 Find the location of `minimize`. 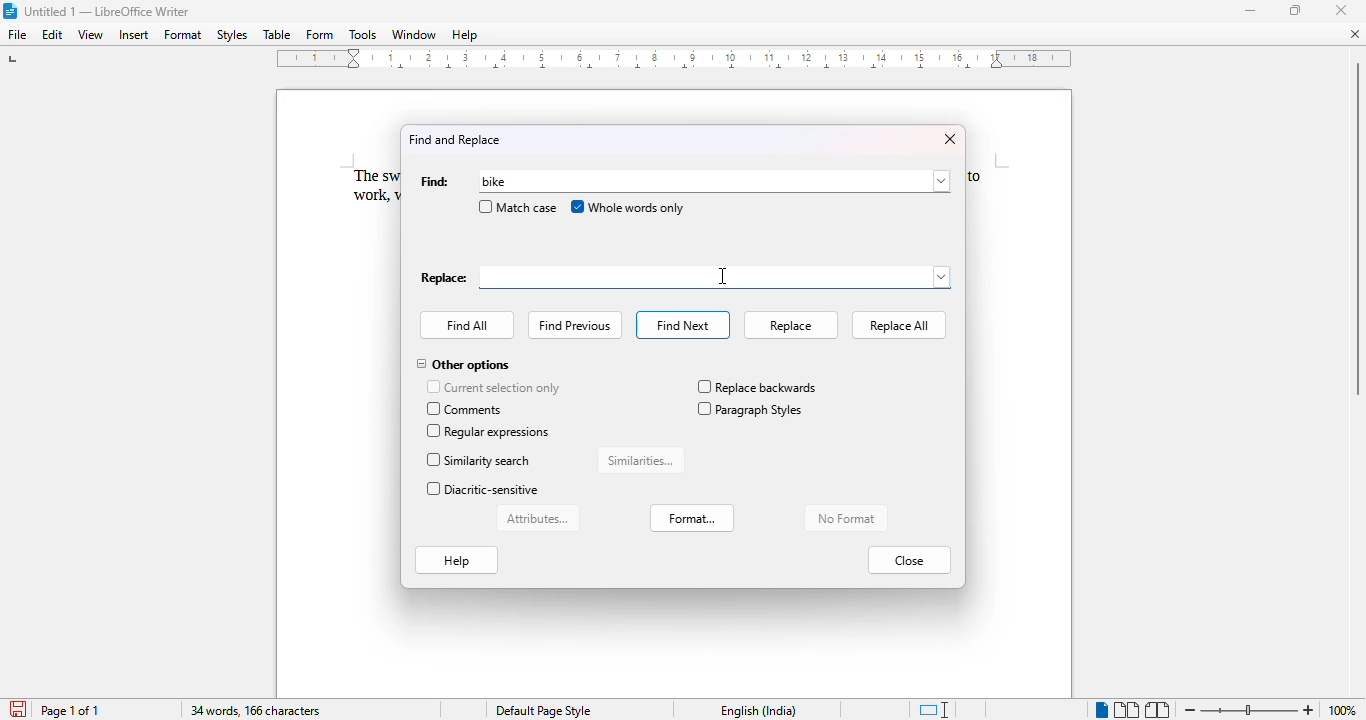

minimize is located at coordinates (1251, 10).